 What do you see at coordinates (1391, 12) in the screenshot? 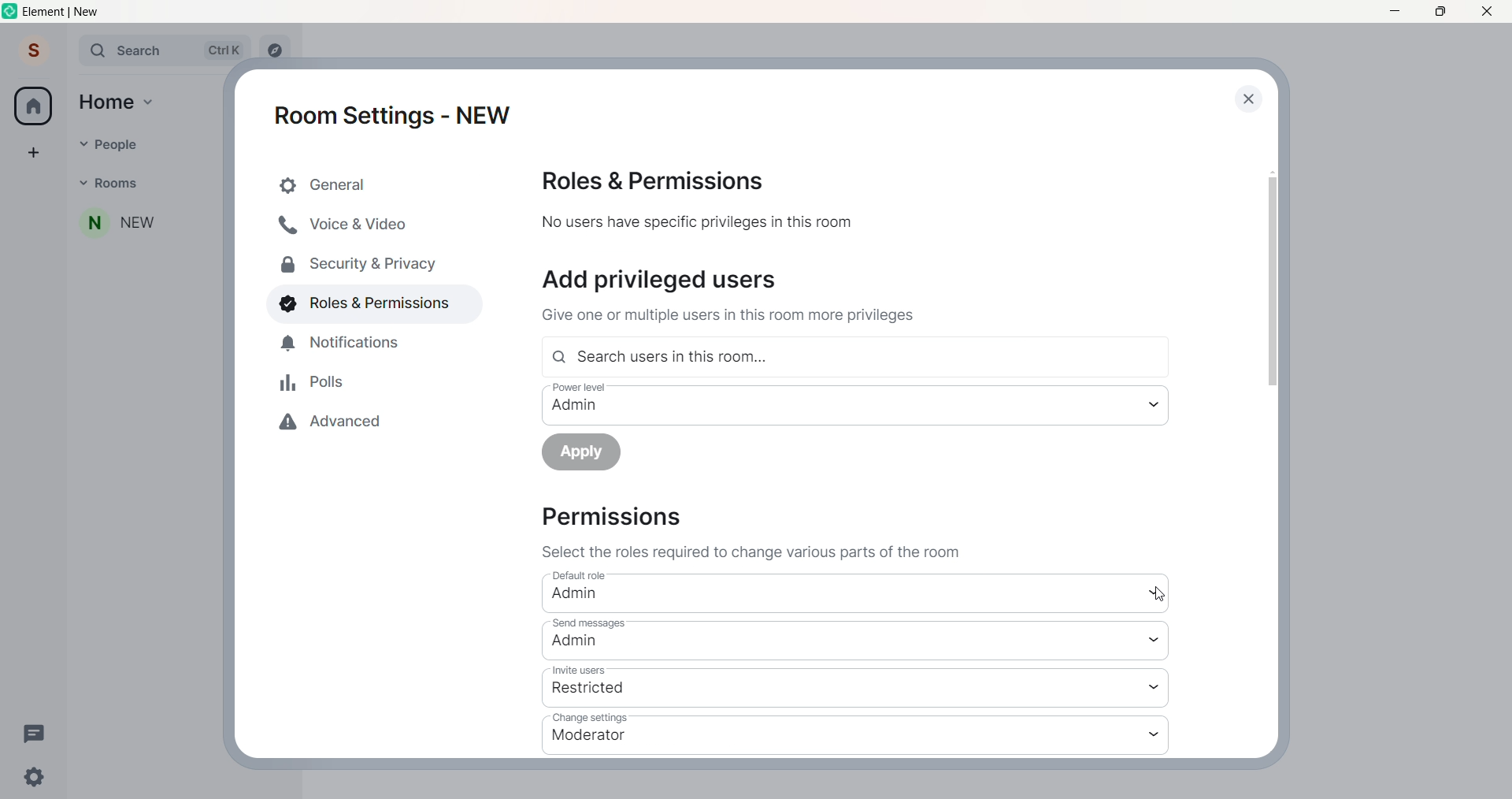
I see `minimize` at bounding box center [1391, 12].